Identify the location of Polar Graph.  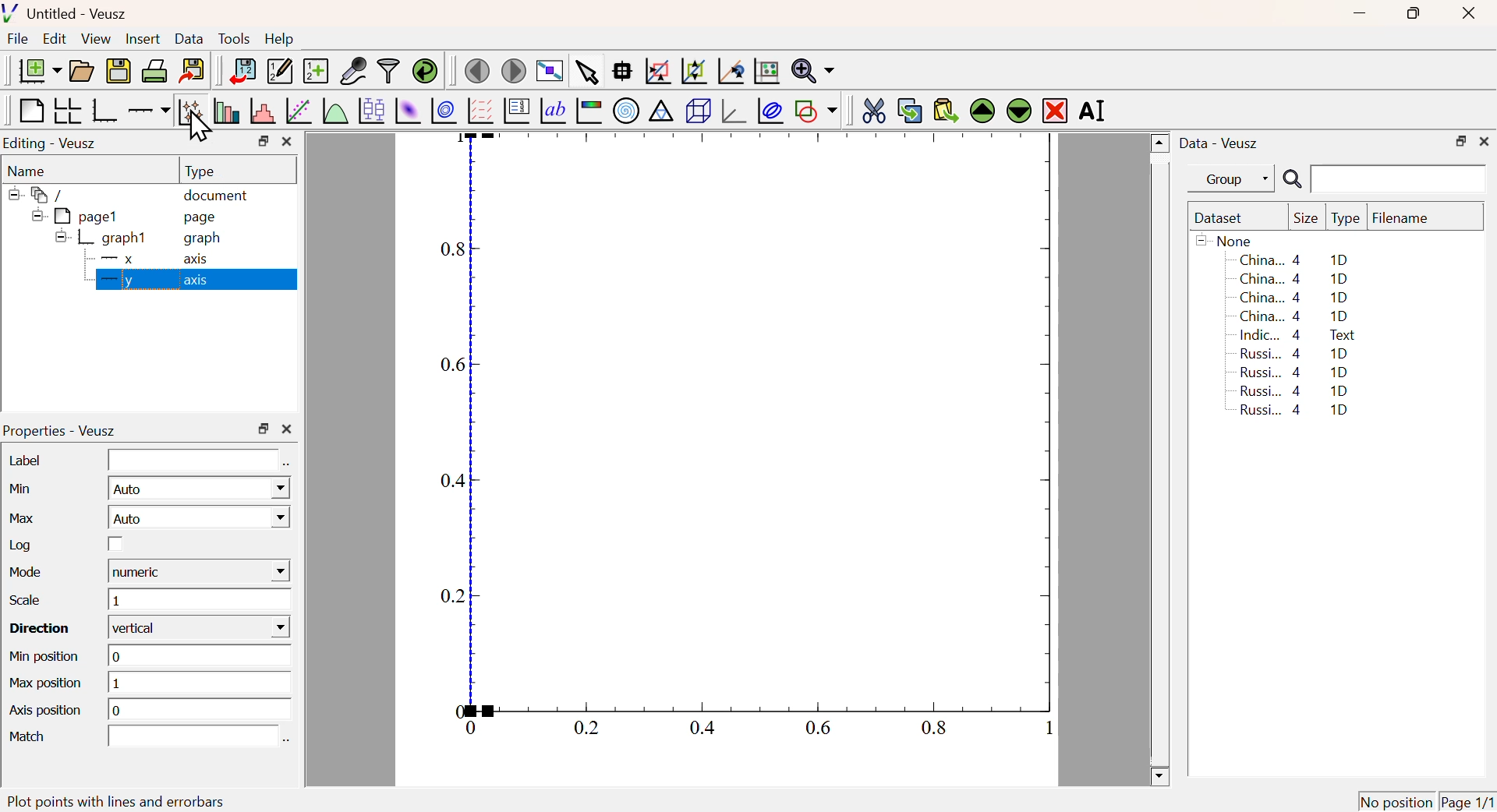
(627, 110).